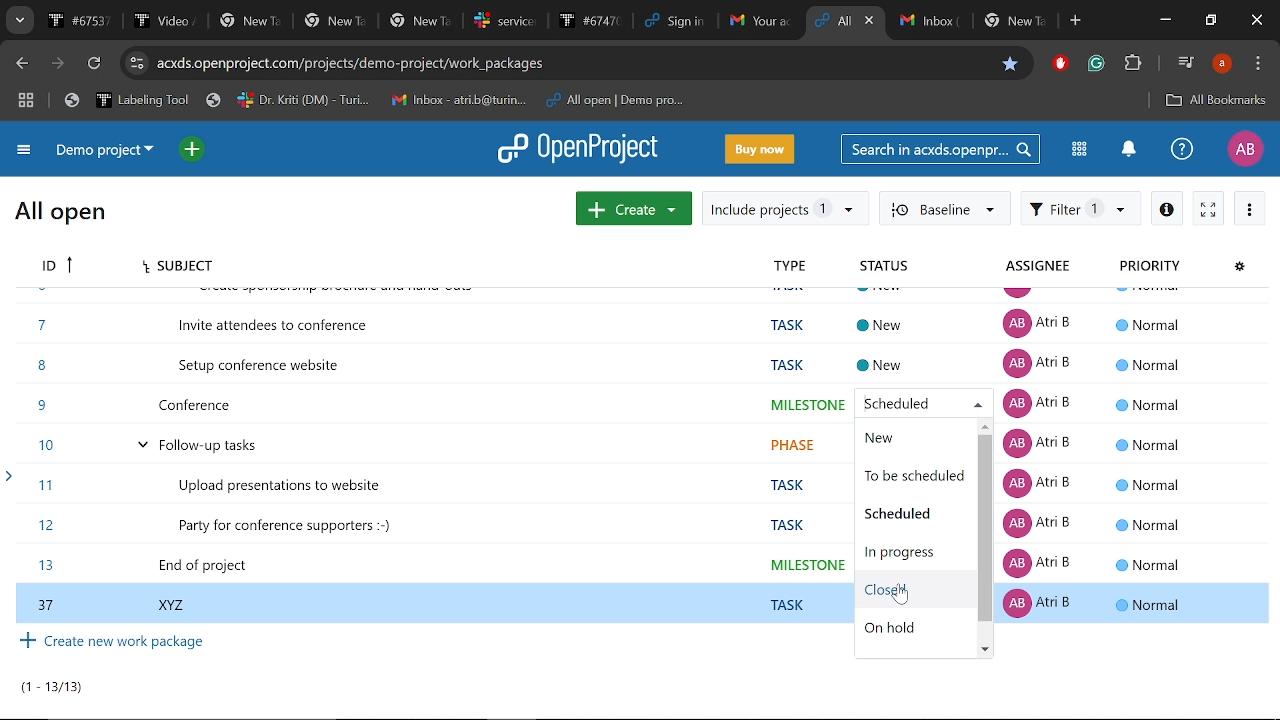 The image size is (1280, 720). Describe the element at coordinates (904, 268) in the screenshot. I see `Status` at that location.